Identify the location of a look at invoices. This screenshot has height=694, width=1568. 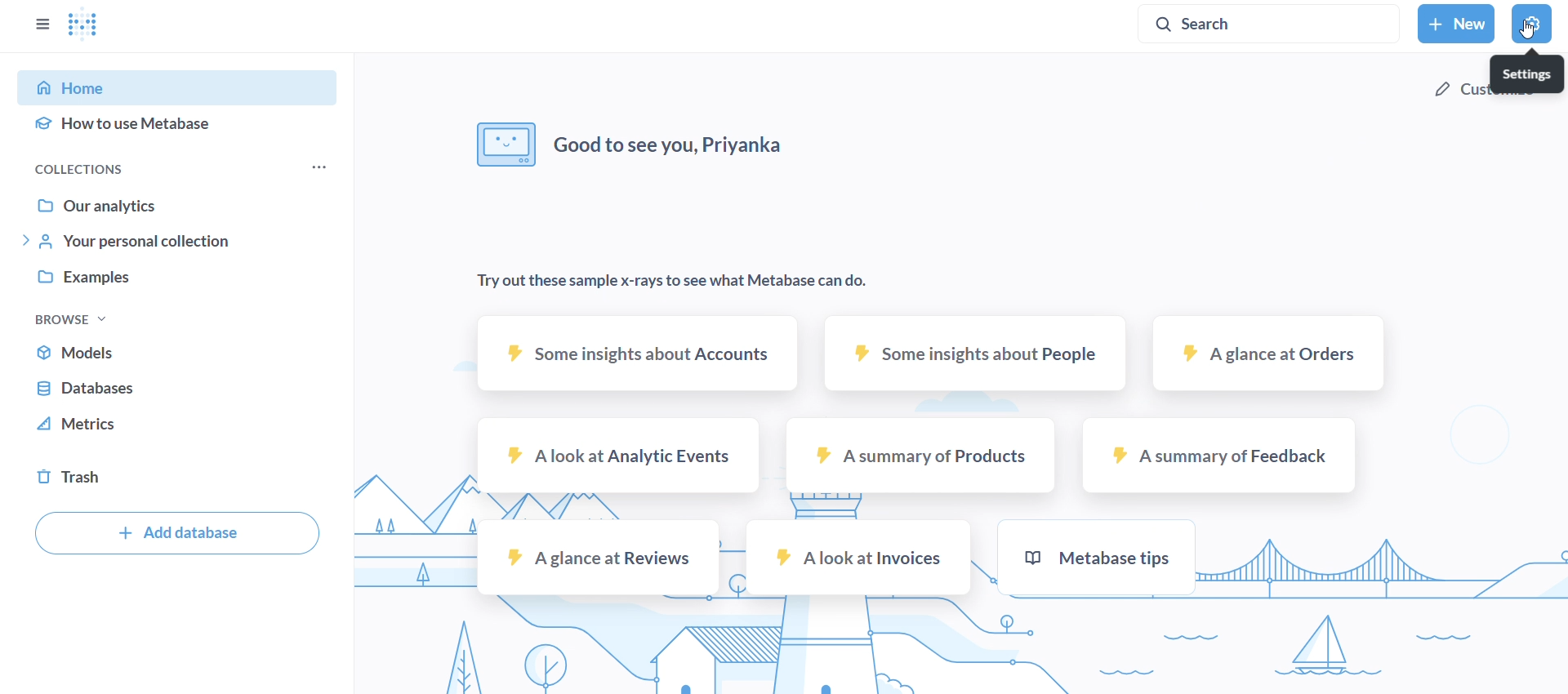
(857, 558).